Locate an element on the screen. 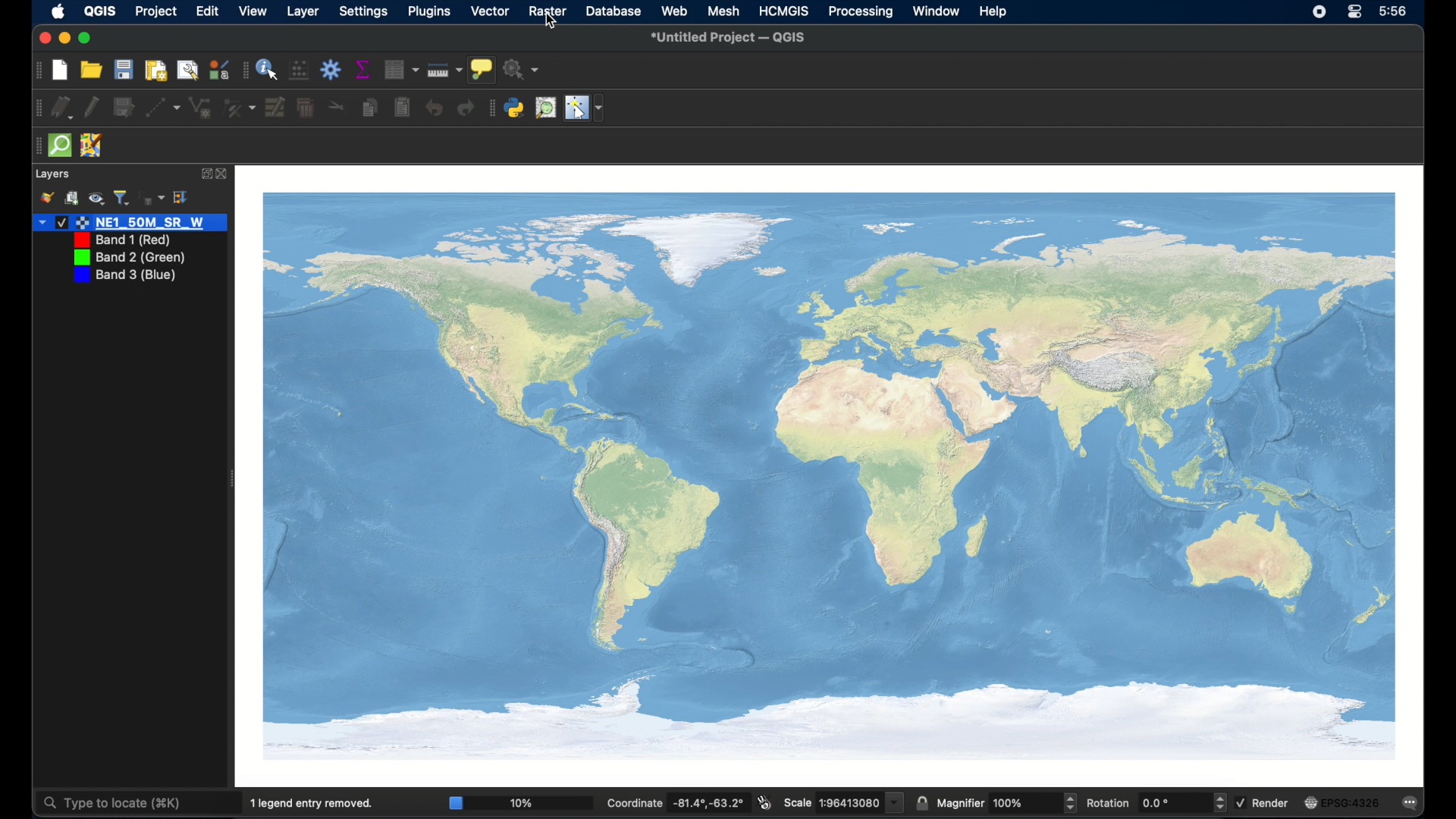  undo is located at coordinates (434, 108).